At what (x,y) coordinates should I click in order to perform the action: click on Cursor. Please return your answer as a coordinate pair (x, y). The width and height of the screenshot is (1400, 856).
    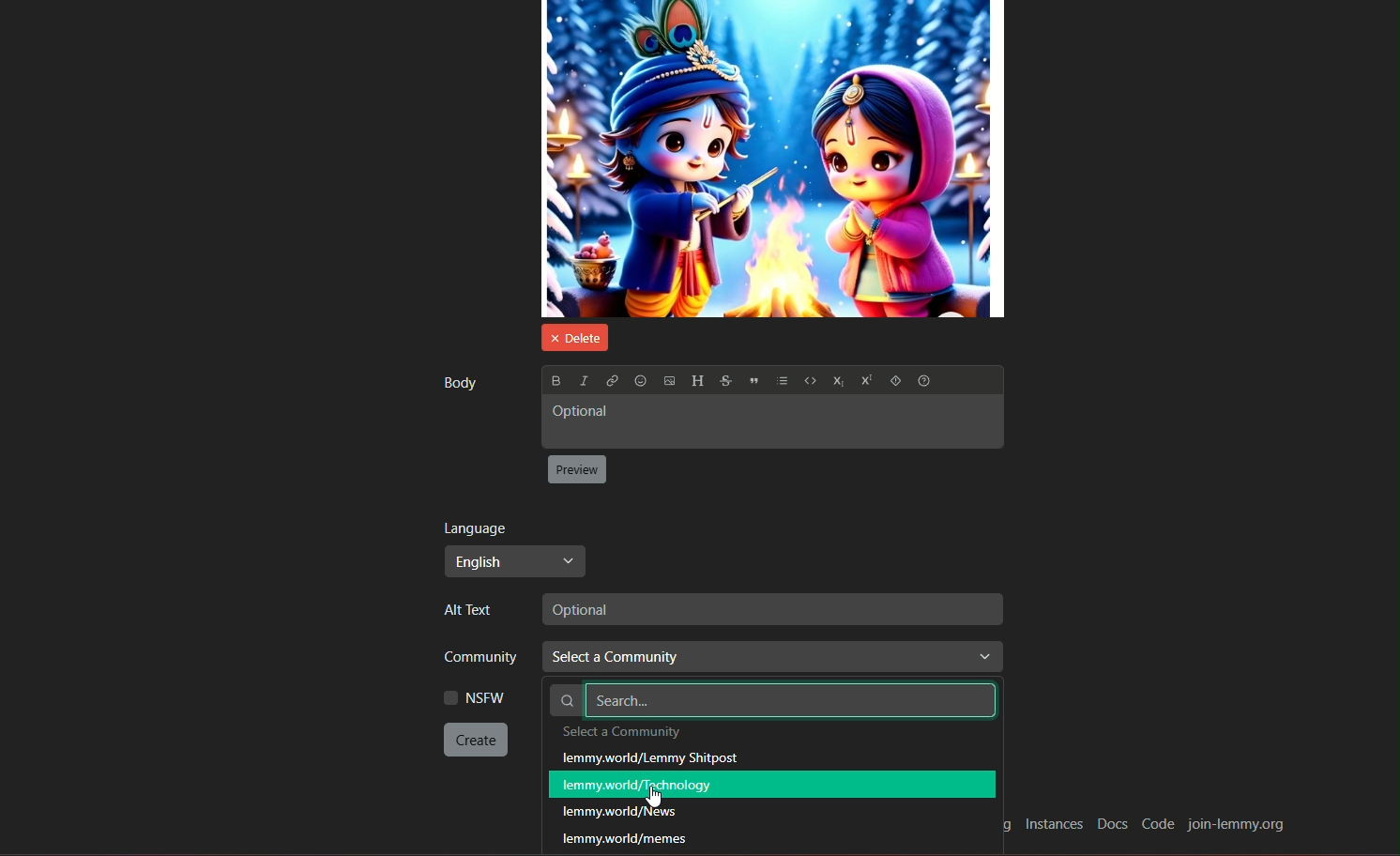
    Looking at the image, I should click on (655, 799).